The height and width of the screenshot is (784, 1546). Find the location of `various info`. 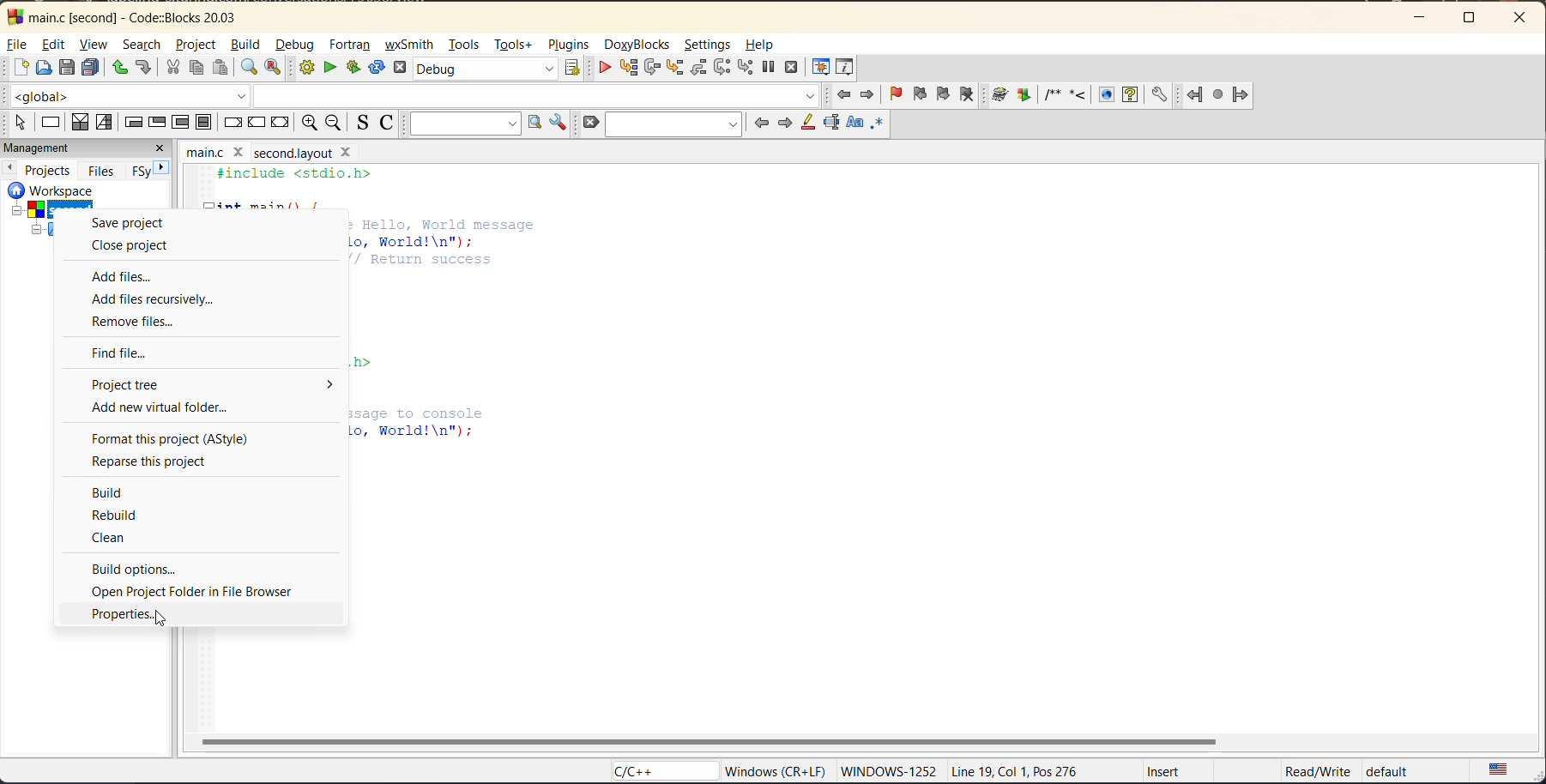

various info is located at coordinates (848, 69).